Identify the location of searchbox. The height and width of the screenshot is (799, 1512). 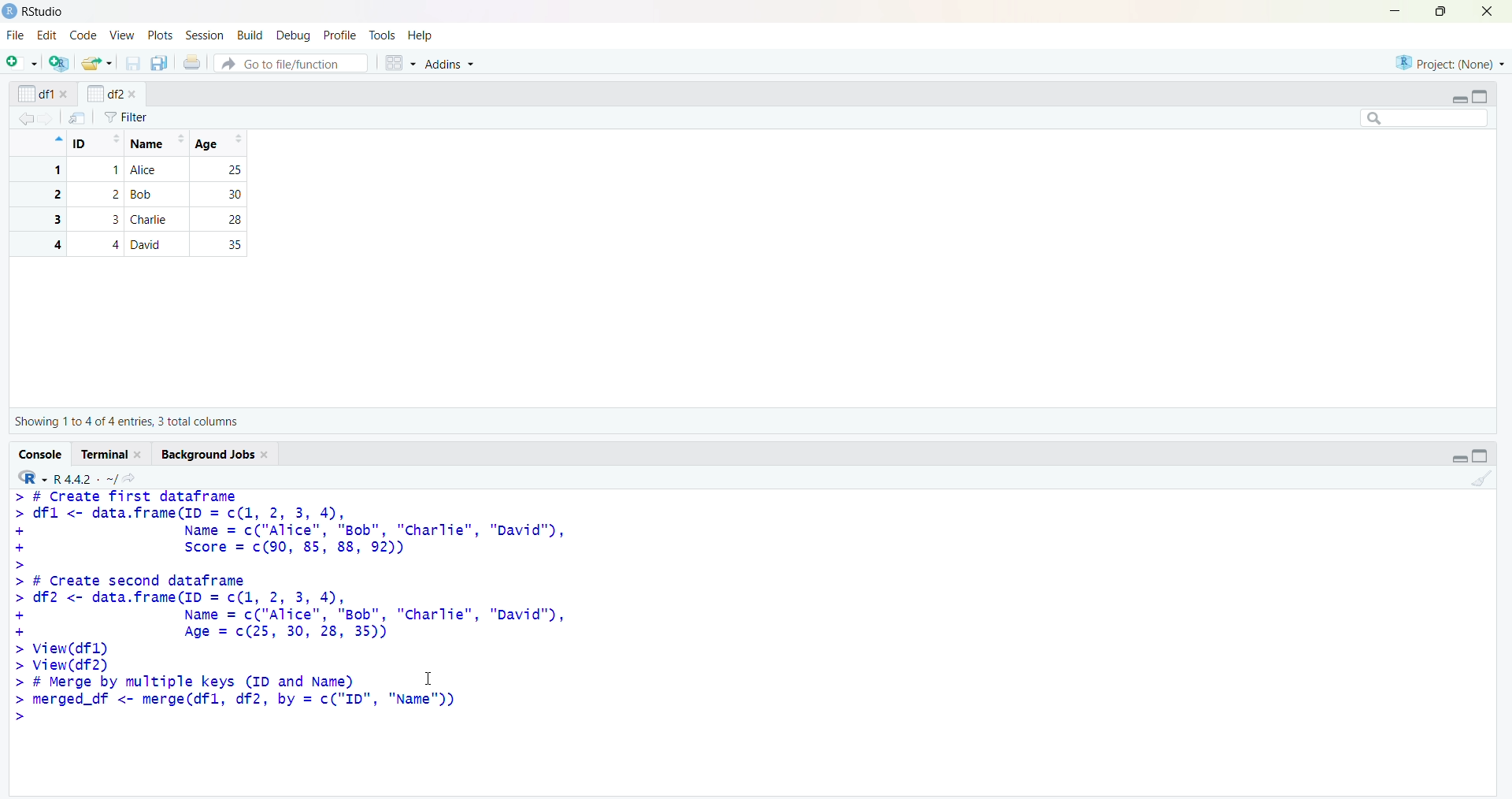
(1425, 117).